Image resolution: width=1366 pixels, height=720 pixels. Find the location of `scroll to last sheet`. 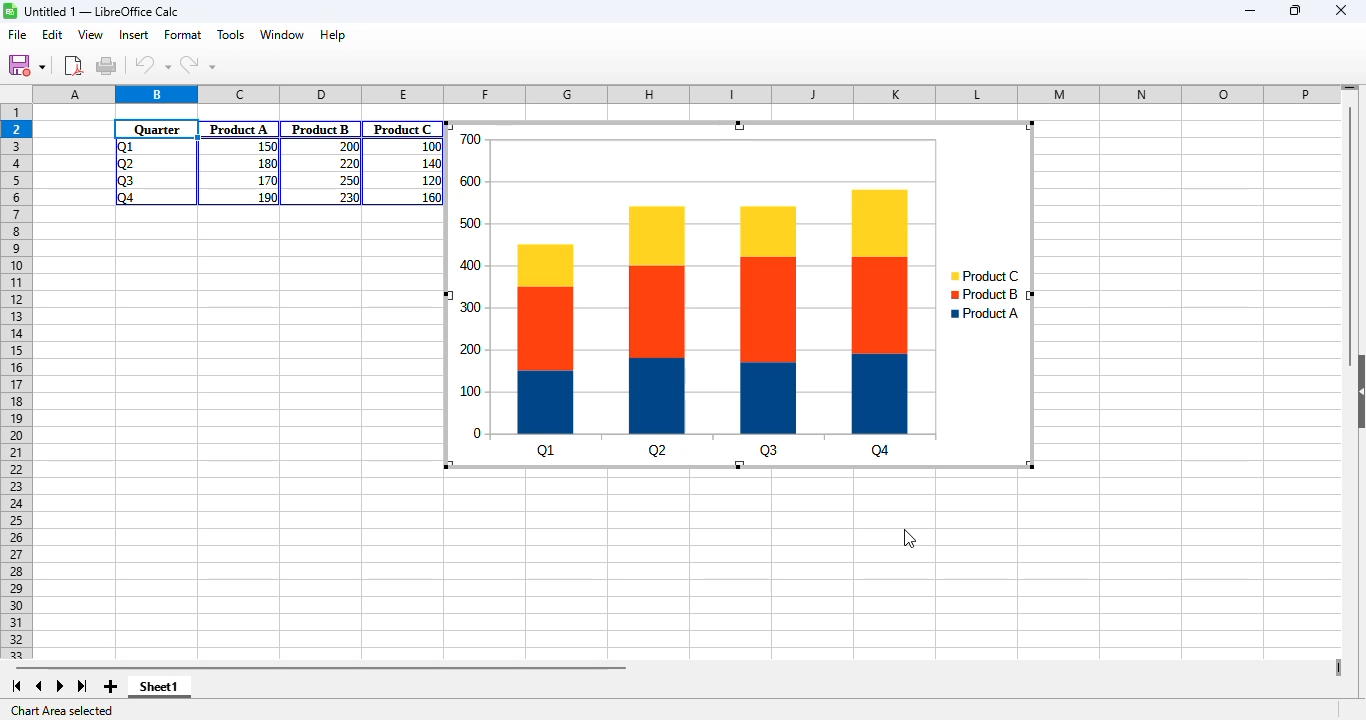

scroll to last sheet is located at coordinates (83, 687).